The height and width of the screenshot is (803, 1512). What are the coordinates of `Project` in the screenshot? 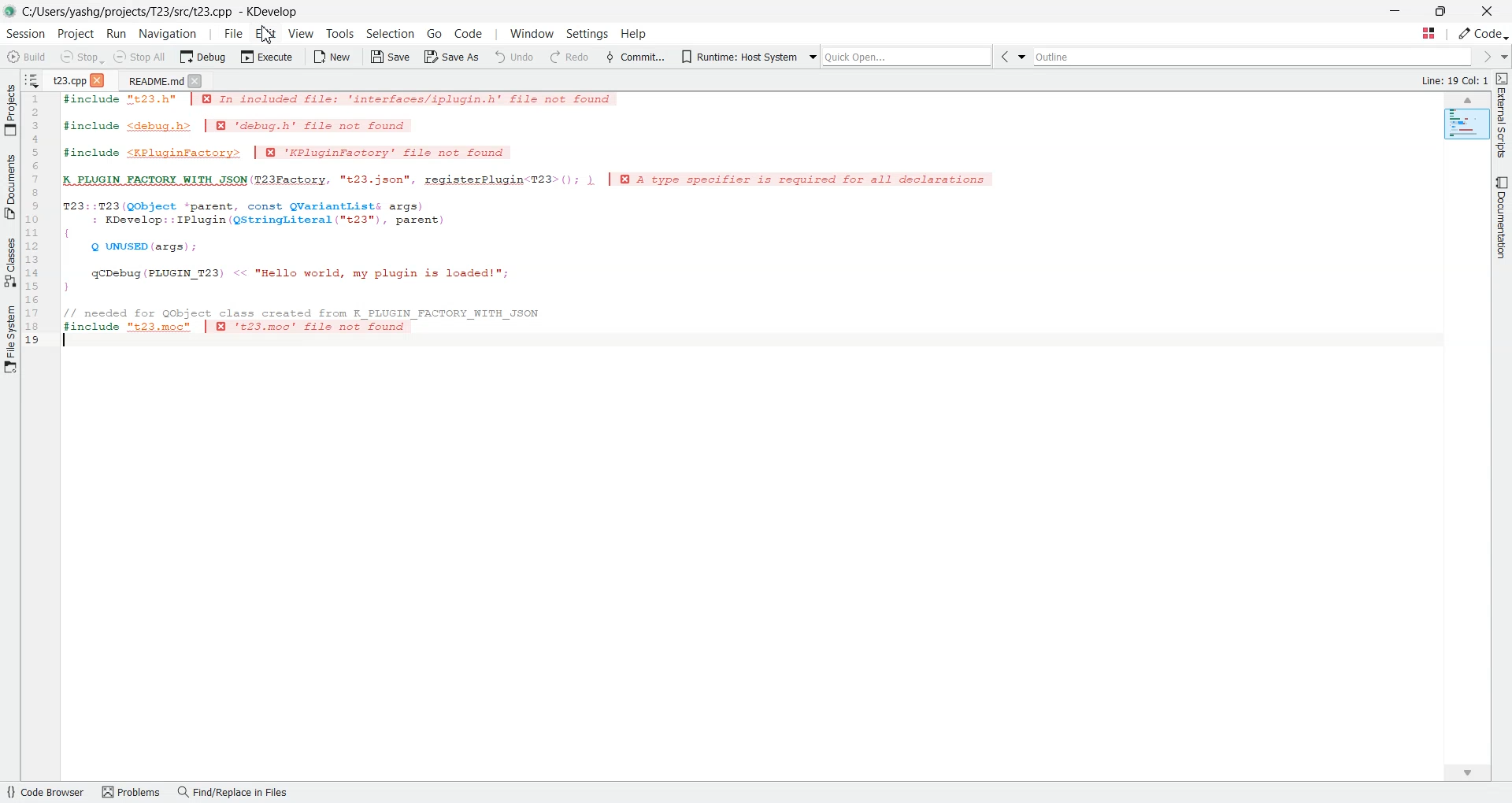 It's located at (77, 34).